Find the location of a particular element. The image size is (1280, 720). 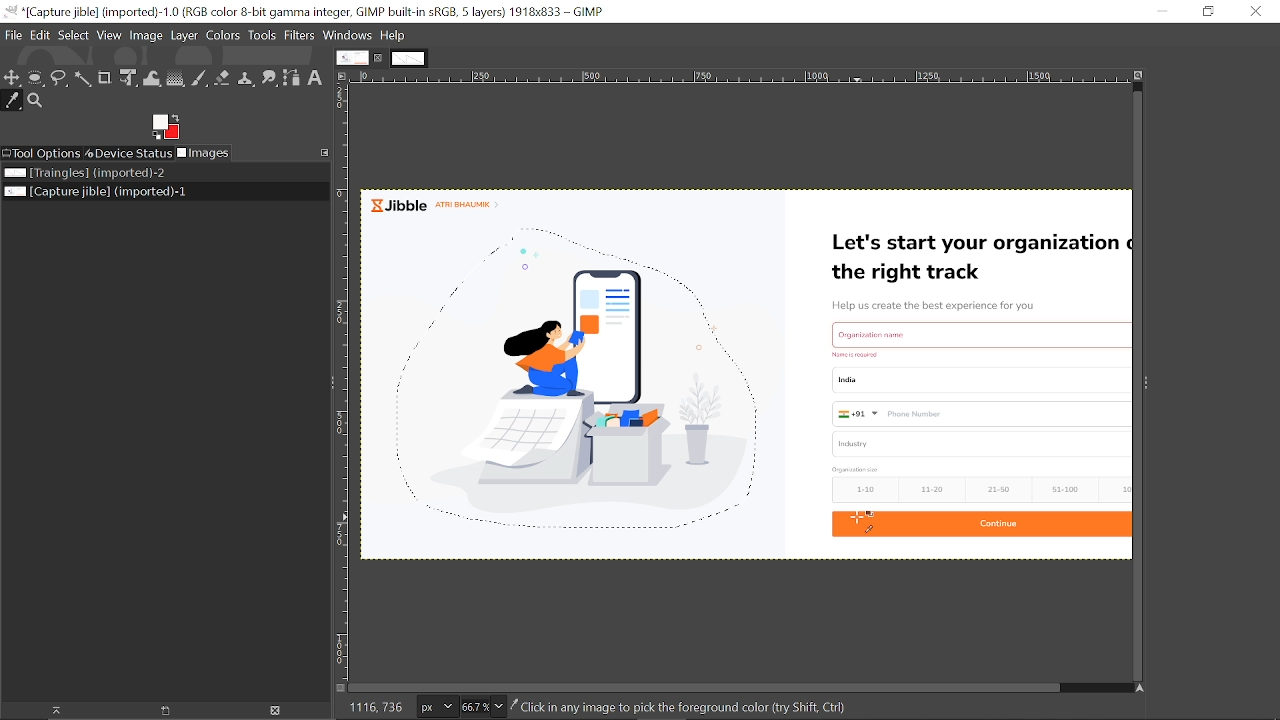

Current zoom is located at coordinates (475, 707).